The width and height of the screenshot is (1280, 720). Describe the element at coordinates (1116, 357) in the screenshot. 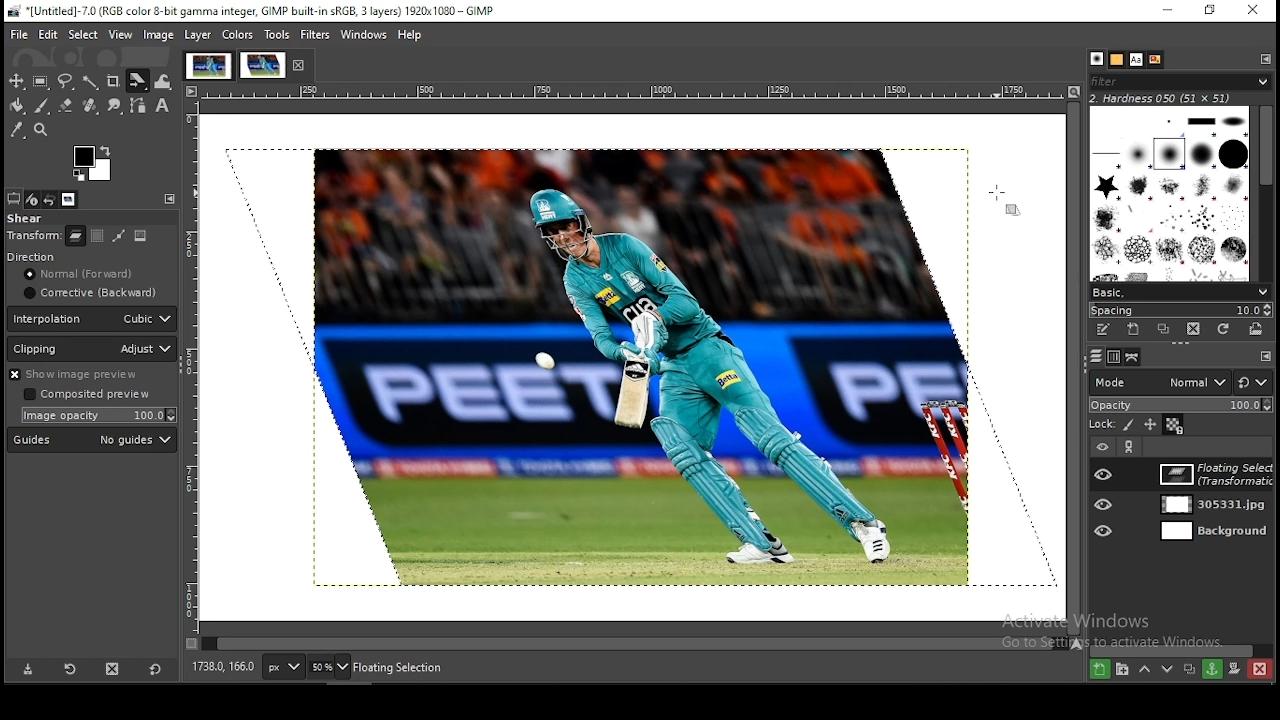

I see `channels` at that location.